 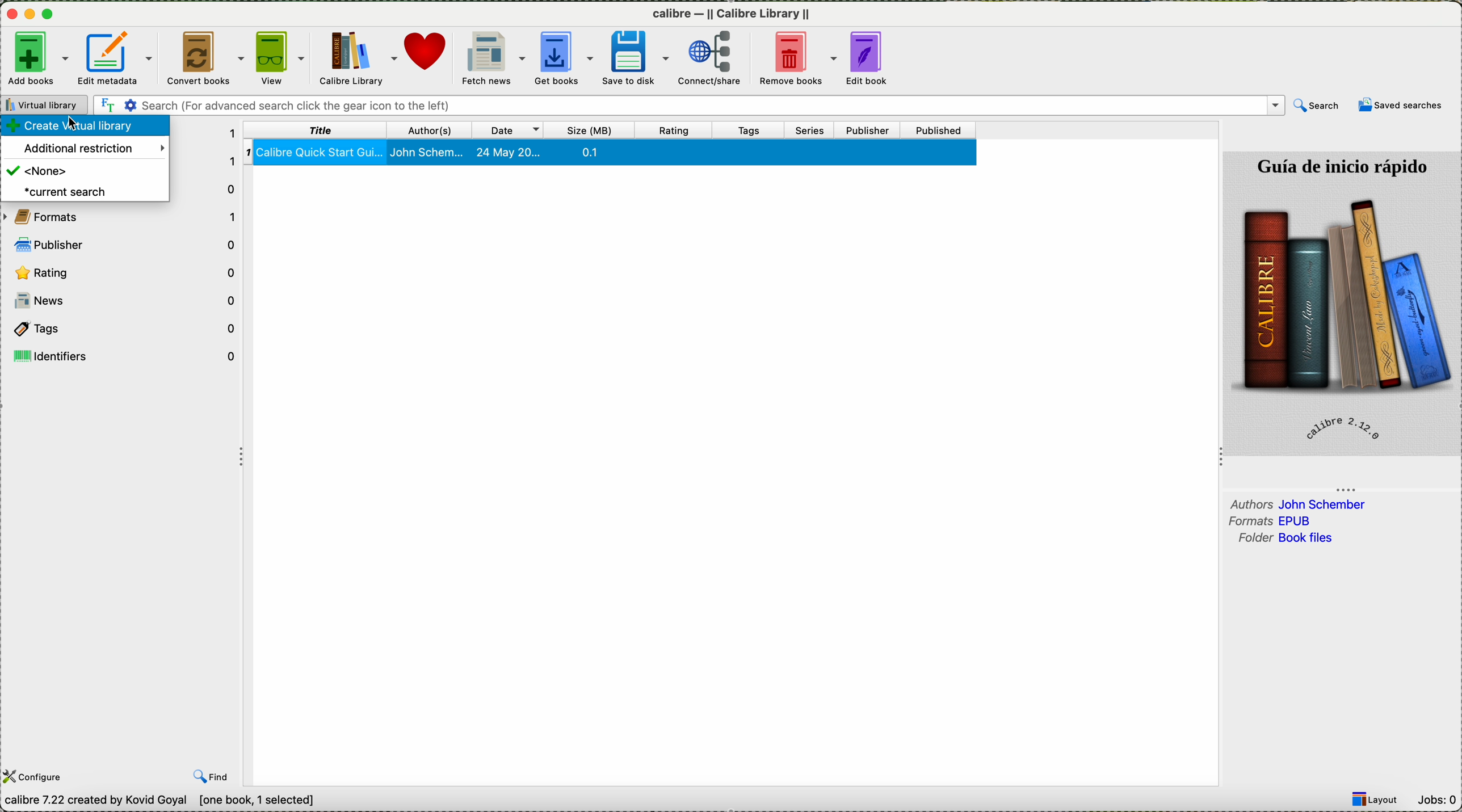 I want to click on search, so click(x=1316, y=106).